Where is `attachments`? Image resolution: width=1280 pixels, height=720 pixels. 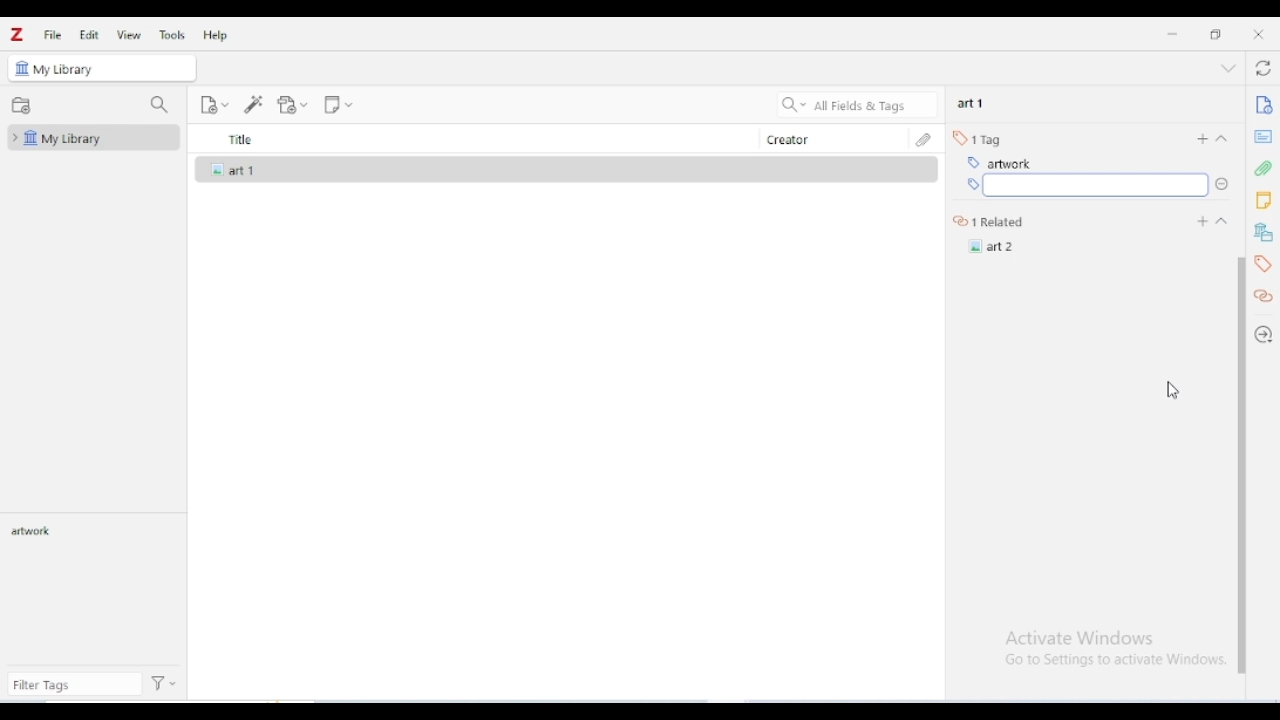
attachments is located at coordinates (925, 139).